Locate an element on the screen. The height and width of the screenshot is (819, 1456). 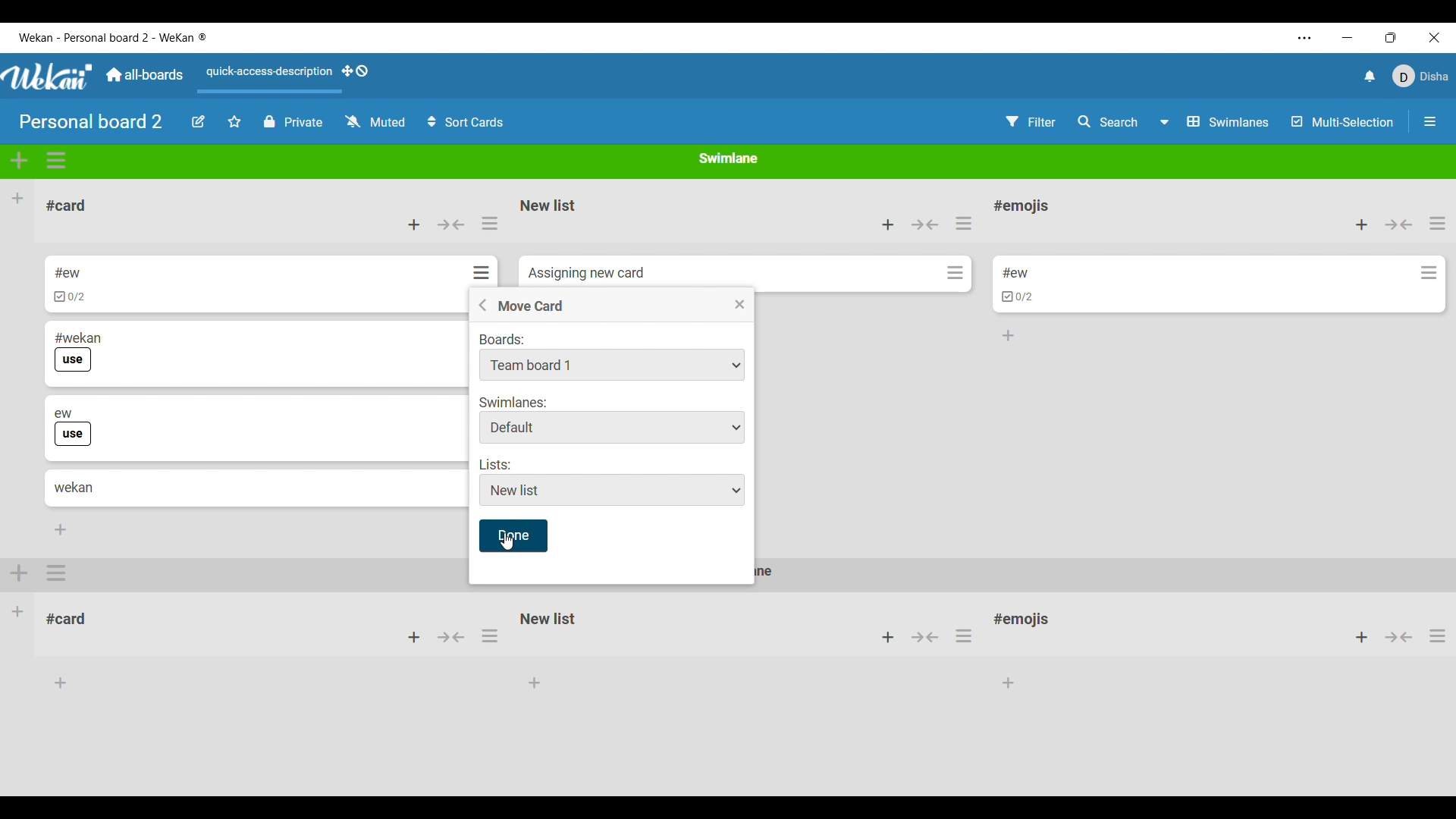
Card actions is located at coordinates (955, 272).